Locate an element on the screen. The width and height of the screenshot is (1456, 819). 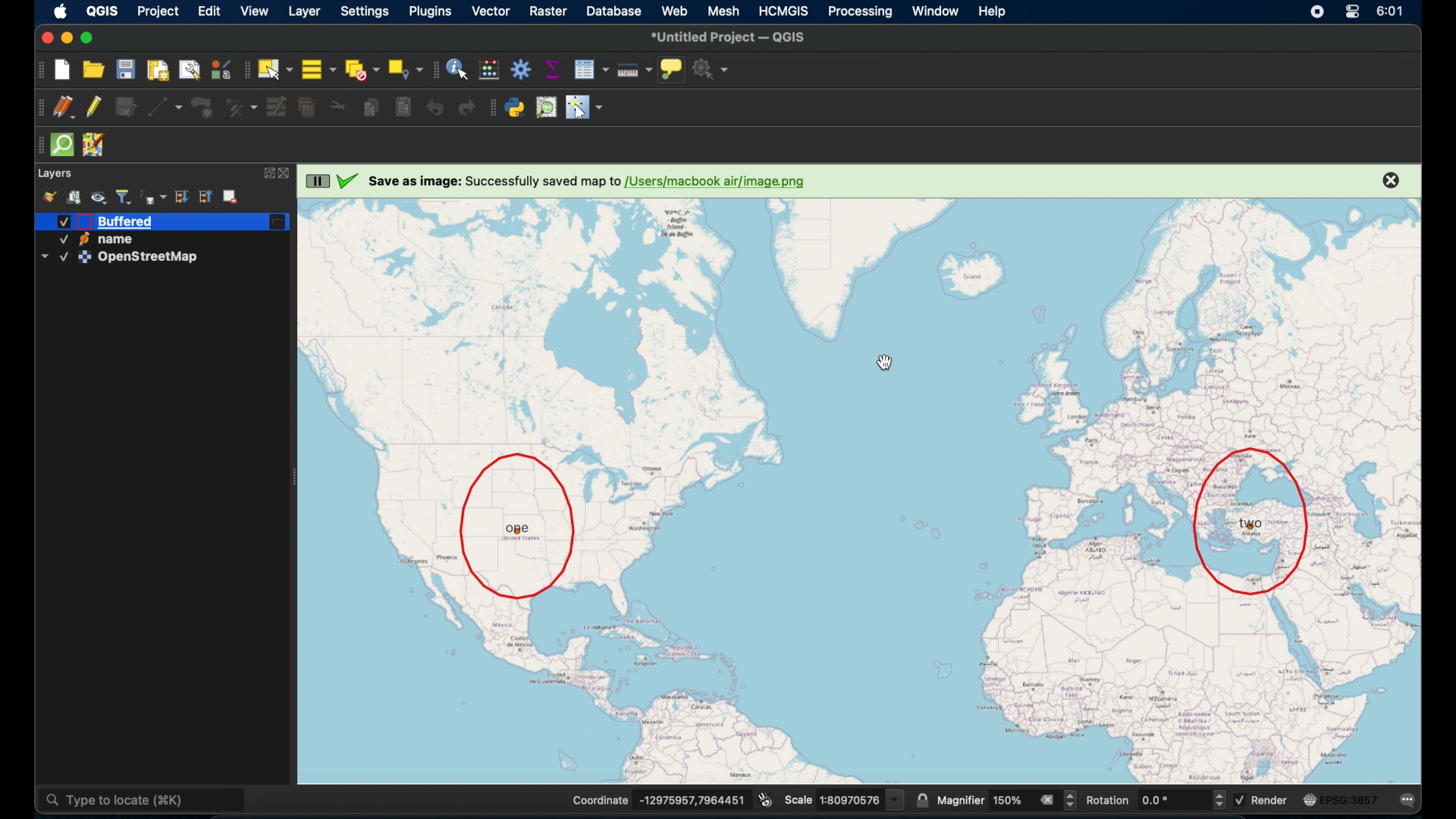
open field calculator is located at coordinates (491, 69).